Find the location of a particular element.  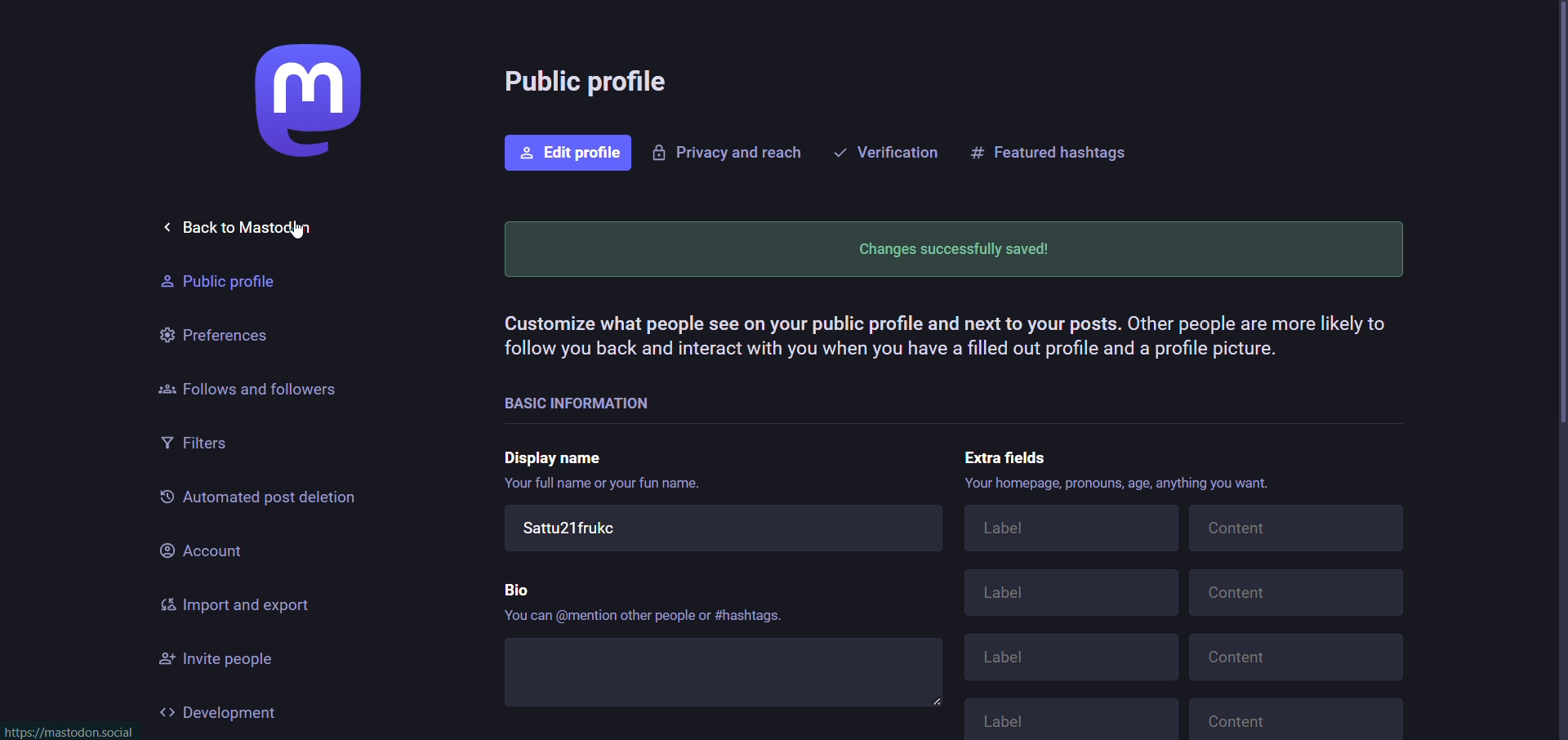

Your full name or your fun name. is located at coordinates (607, 487).